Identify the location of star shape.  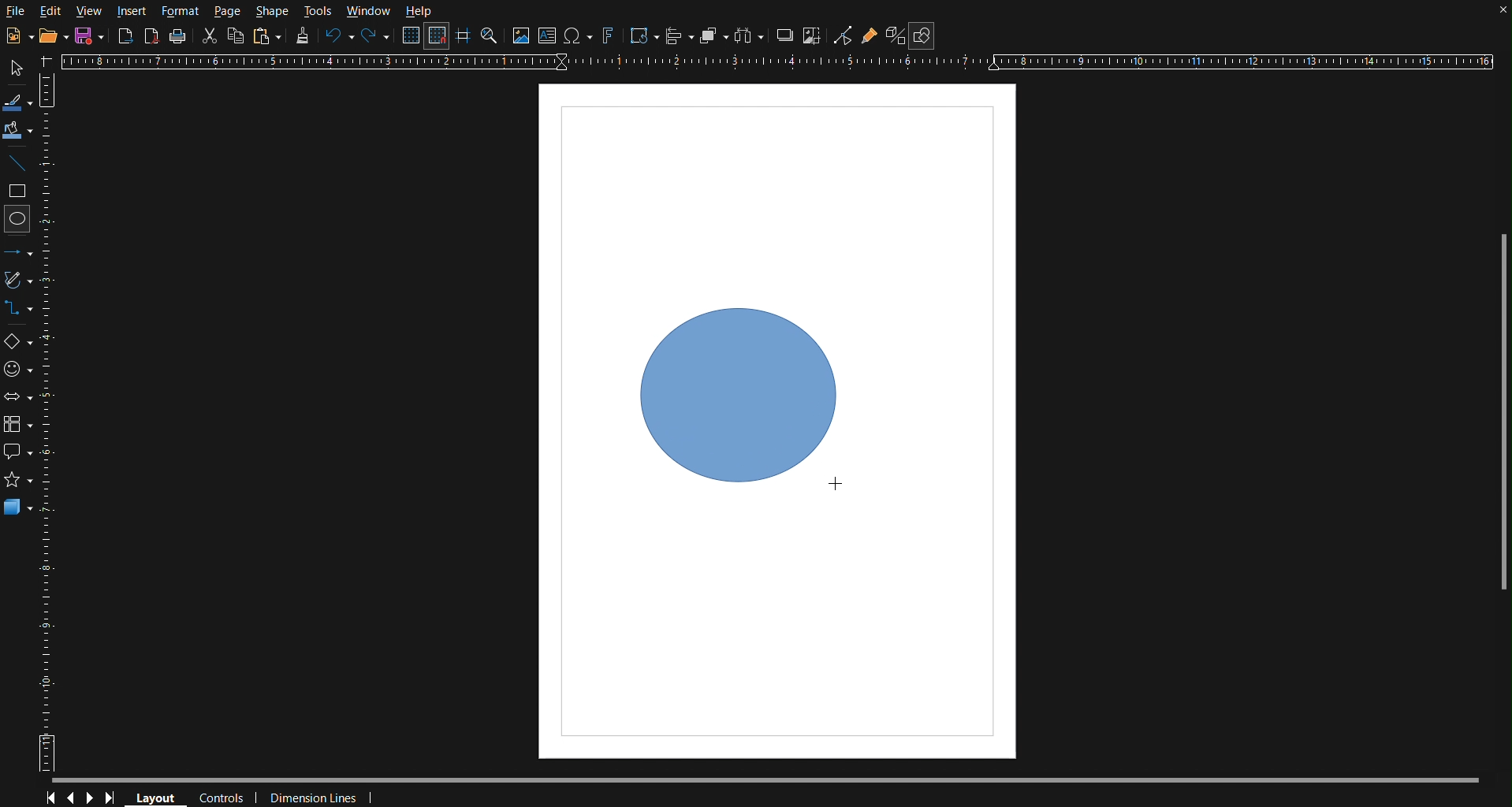
(20, 478).